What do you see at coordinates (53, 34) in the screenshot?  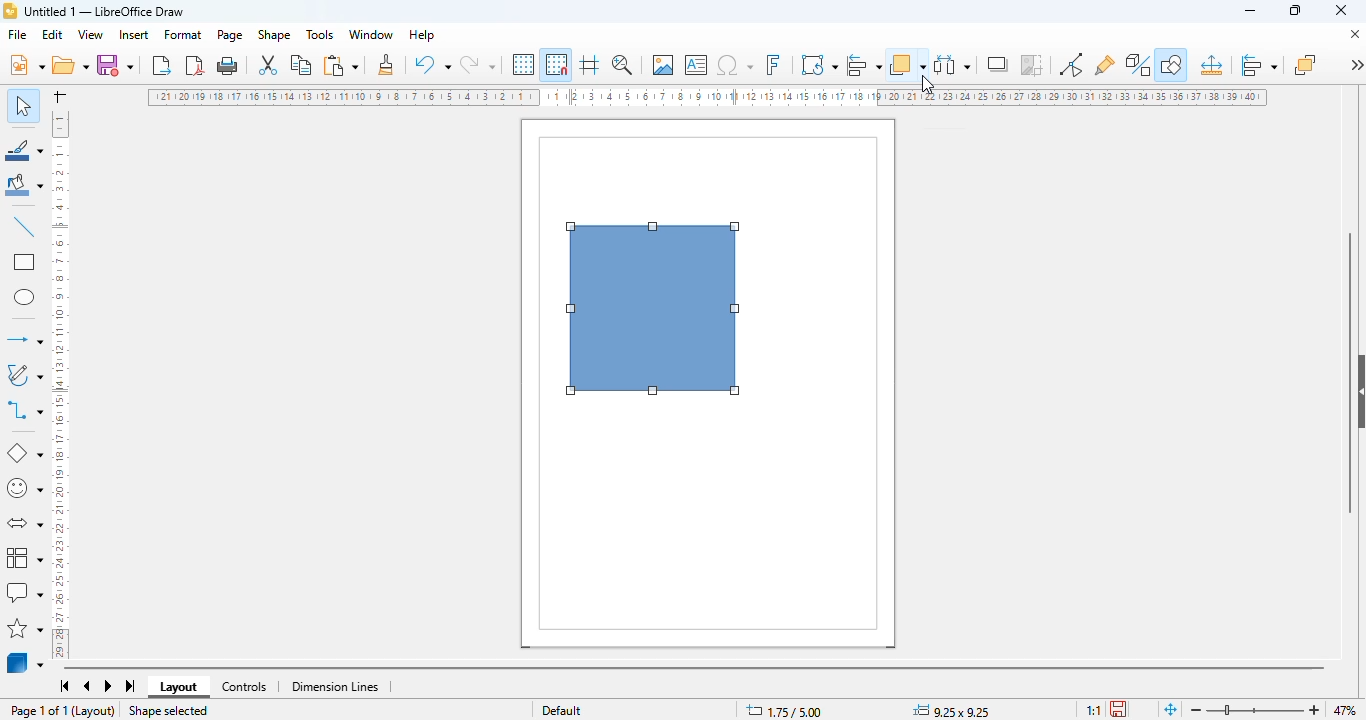 I see `edit` at bounding box center [53, 34].